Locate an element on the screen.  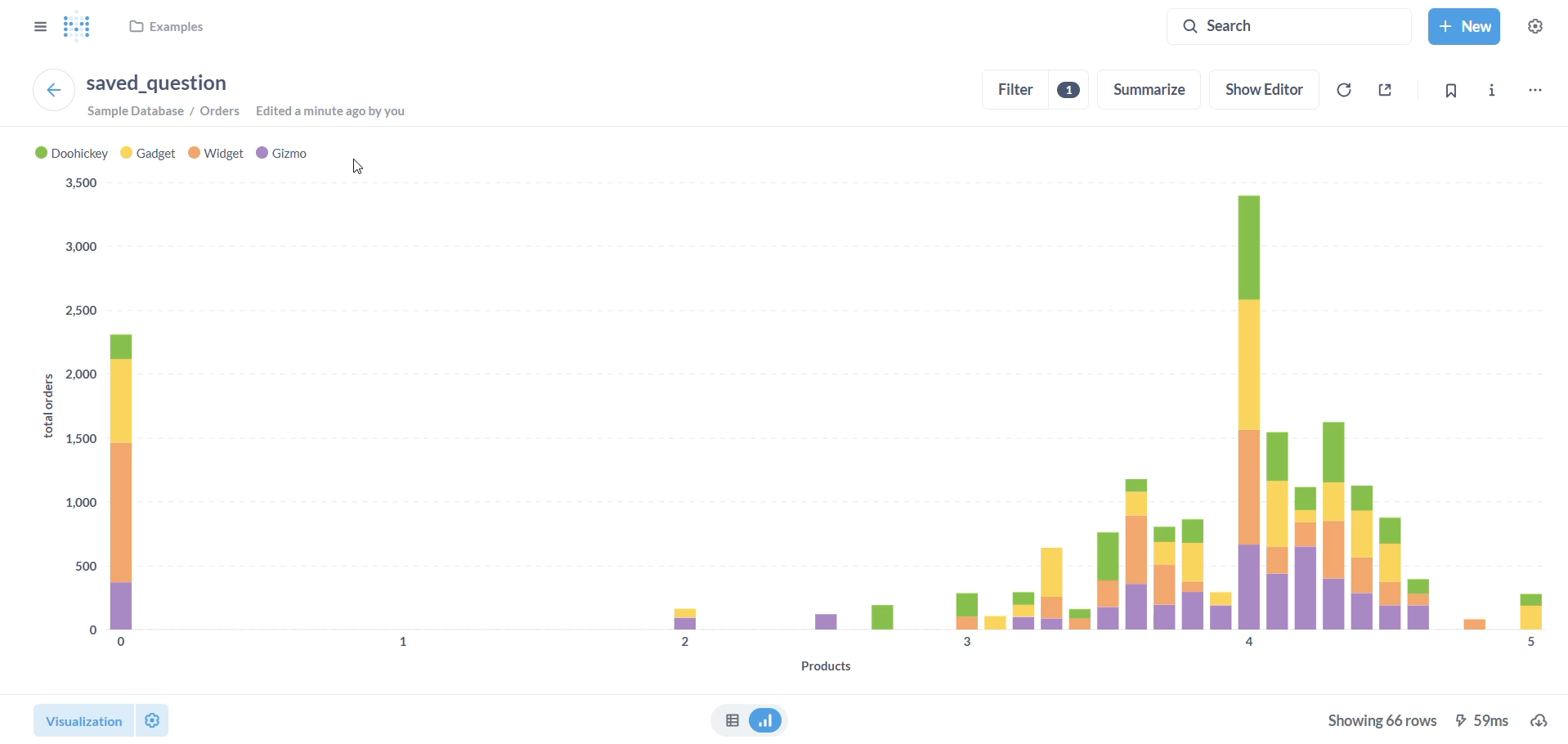
download is located at coordinates (1536, 719).